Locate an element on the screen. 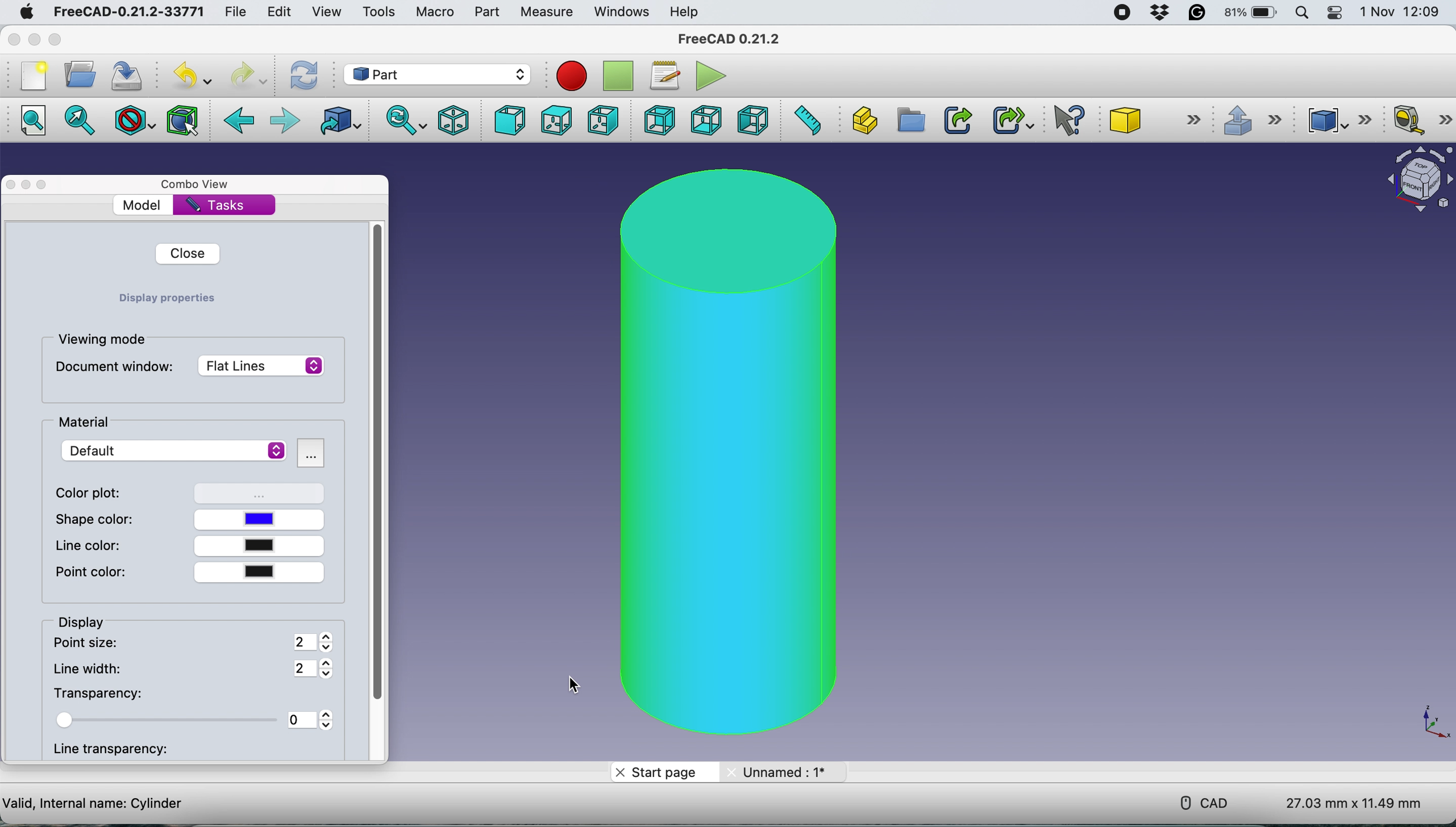 This screenshot has width=1456, height=827. help is located at coordinates (687, 12).